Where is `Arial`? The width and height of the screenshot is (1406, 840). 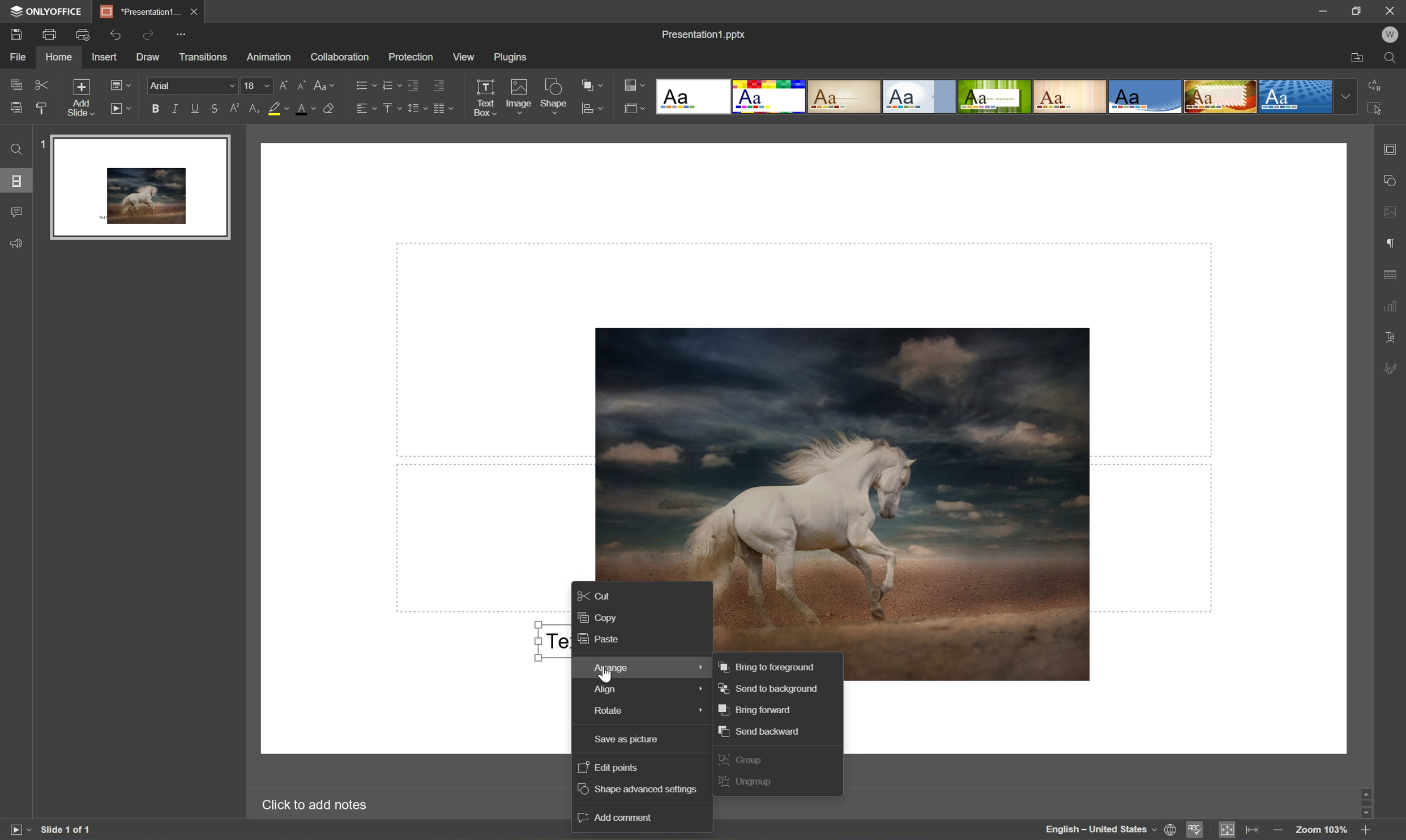 Arial is located at coordinates (189, 87).